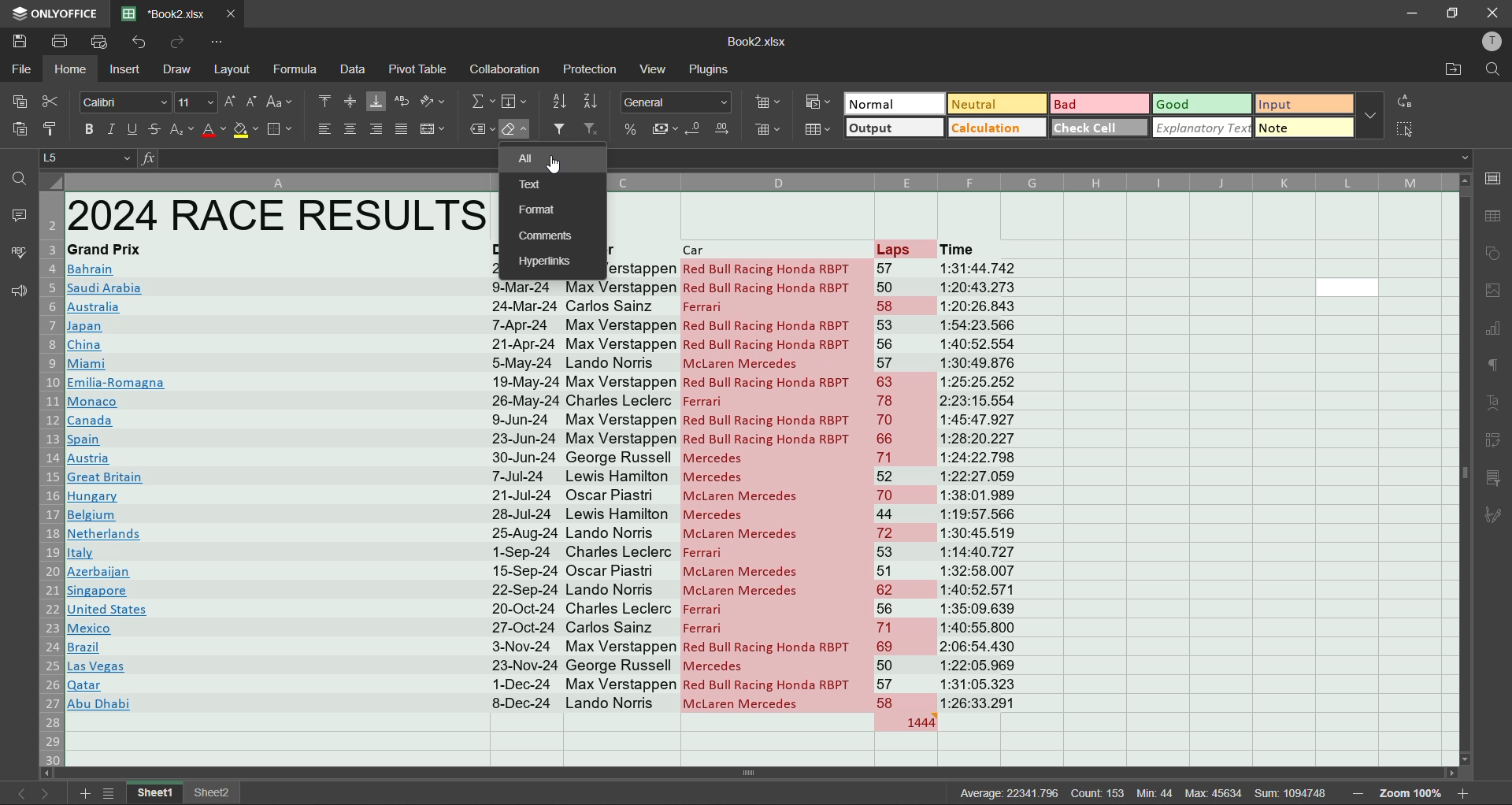 The image size is (1512, 805). Describe the element at coordinates (1493, 480) in the screenshot. I see `slicer` at that location.